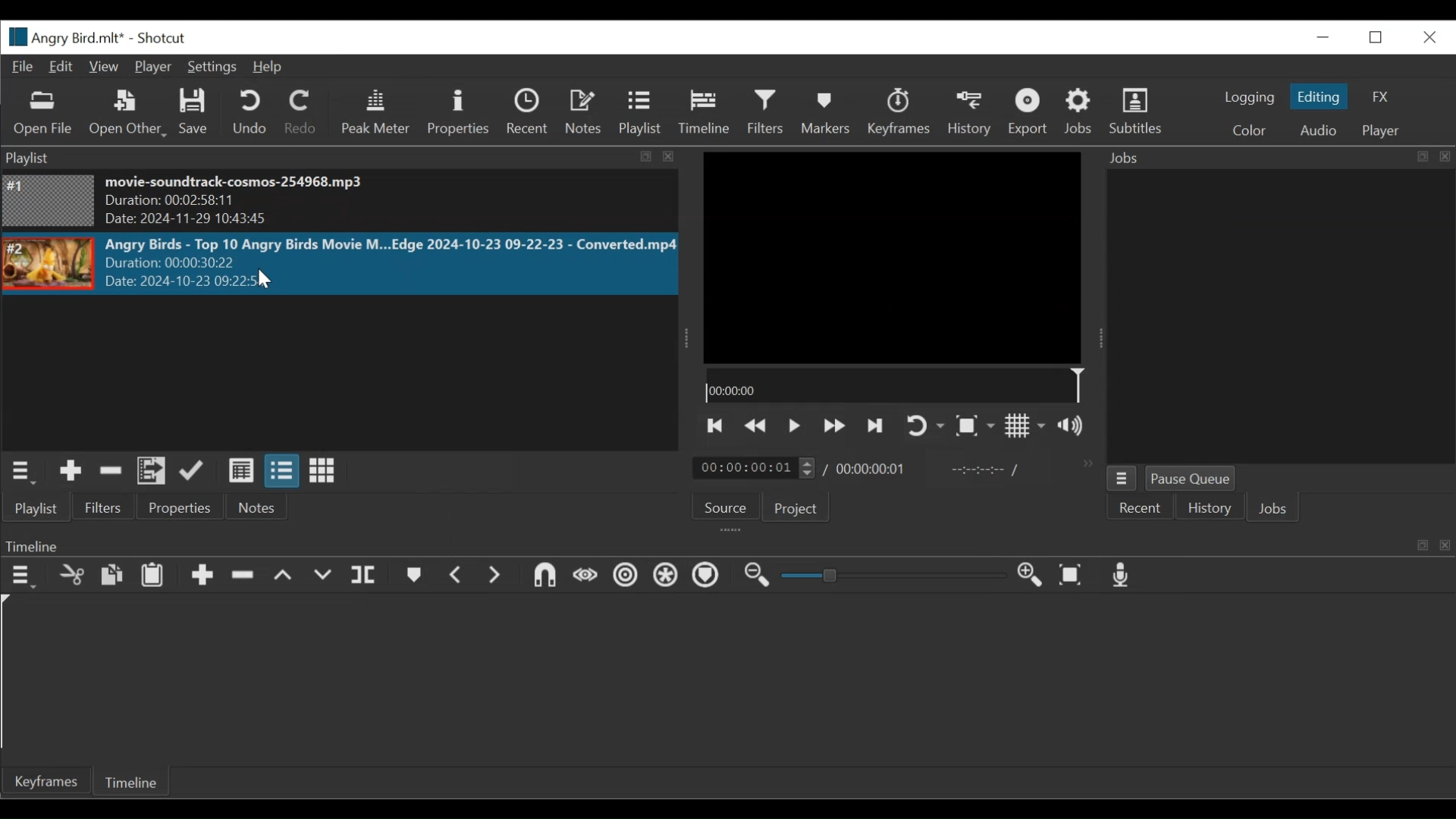 Image resolution: width=1456 pixels, height=819 pixels. Describe the element at coordinates (24, 66) in the screenshot. I see `File` at that location.